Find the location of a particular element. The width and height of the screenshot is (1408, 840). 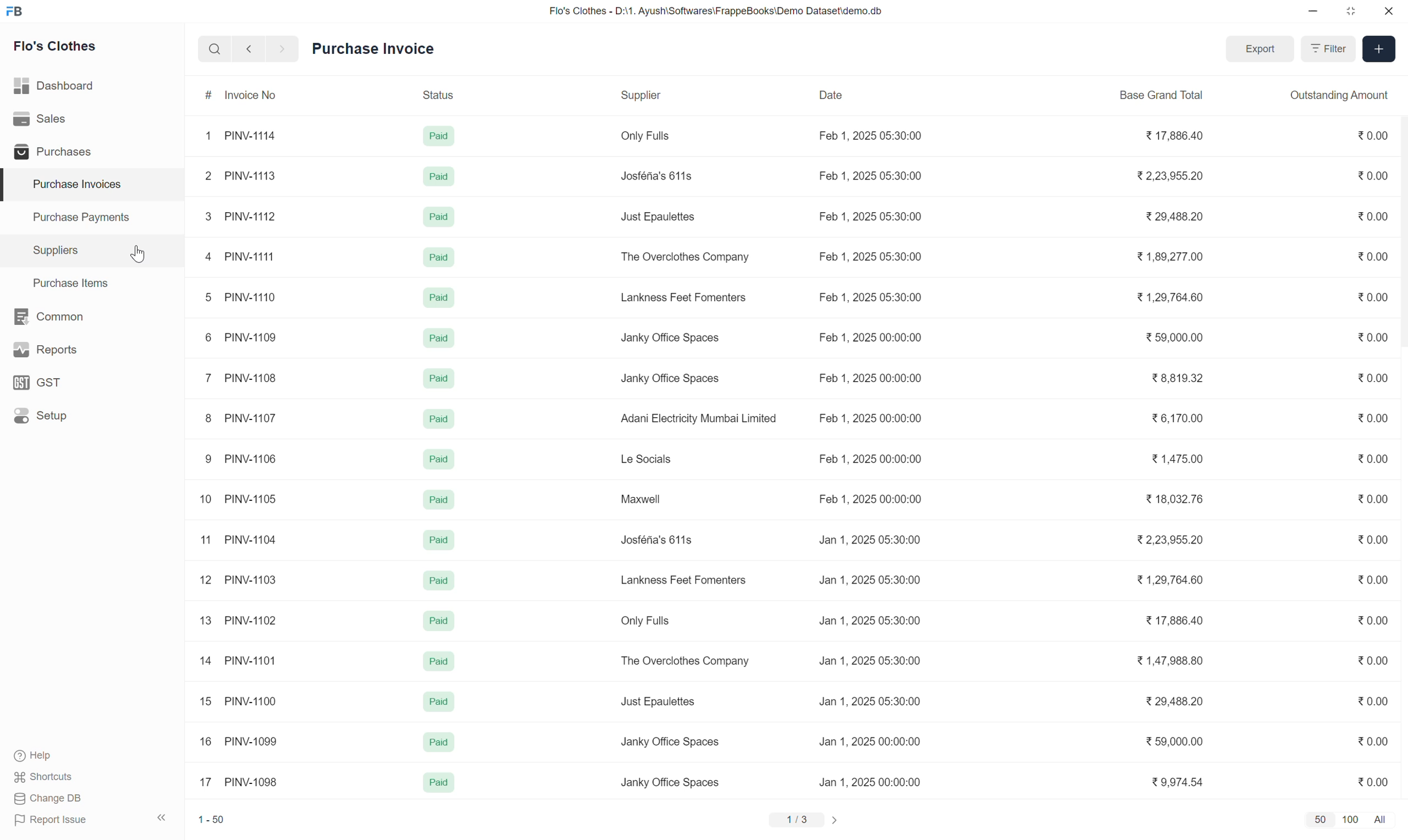

Feb 1, 2025 00:00:00 is located at coordinates (873, 419).